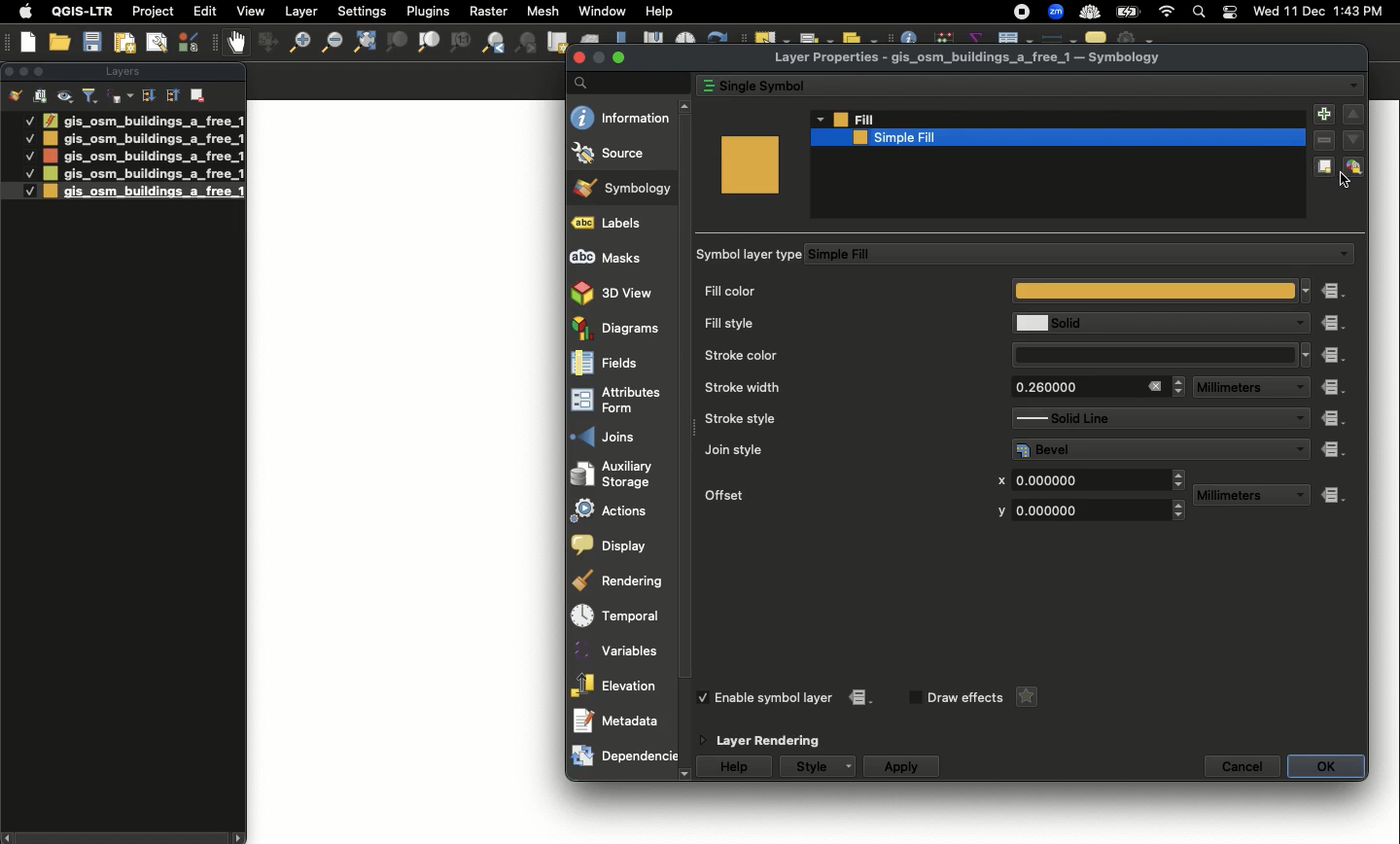 This screenshot has width=1400, height=844. Describe the element at coordinates (237, 42) in the screenshot. I see `Grab` at that location.